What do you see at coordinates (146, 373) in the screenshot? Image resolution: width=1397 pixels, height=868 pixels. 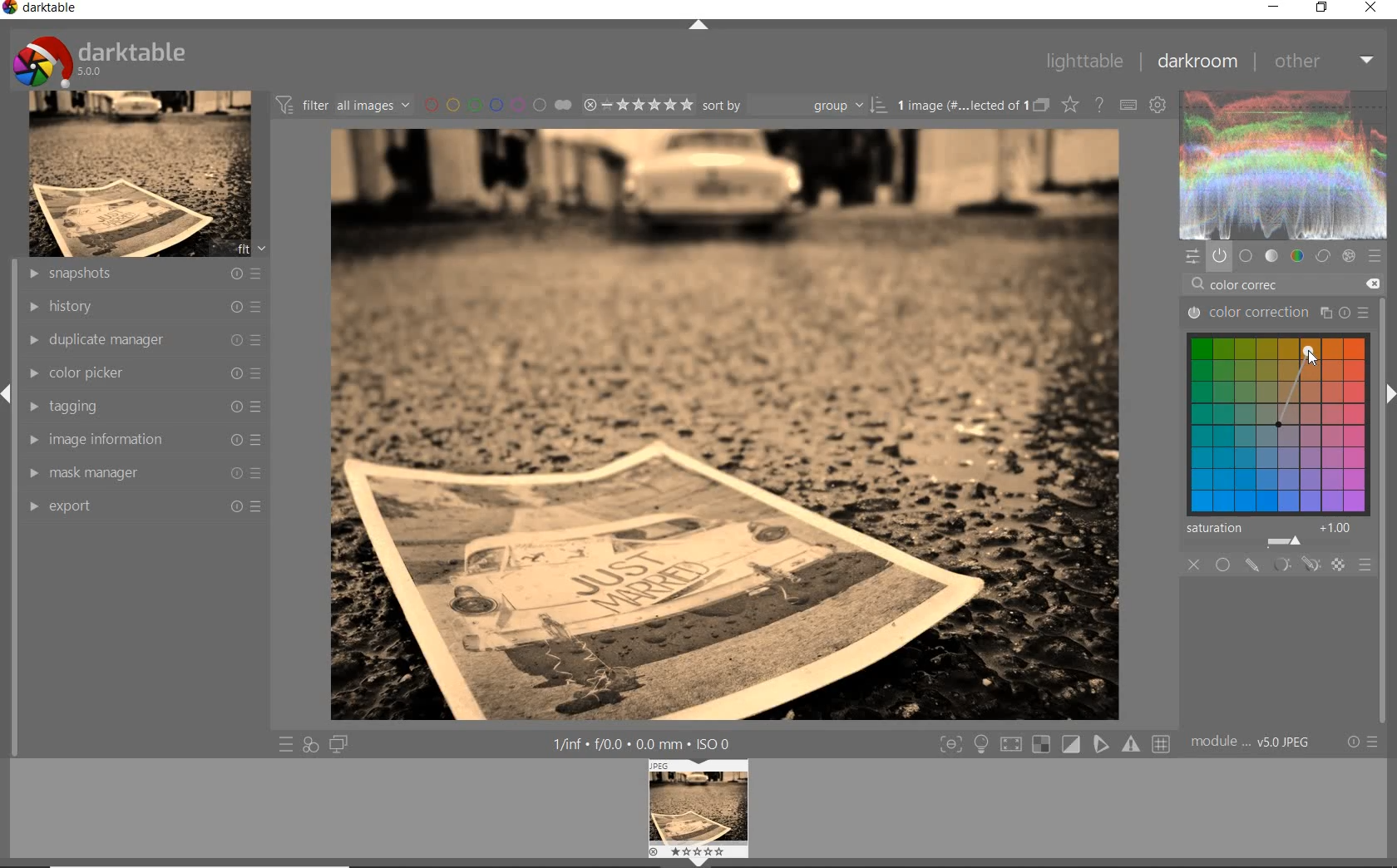 I see `color picker` at bounding box center [146, 373].